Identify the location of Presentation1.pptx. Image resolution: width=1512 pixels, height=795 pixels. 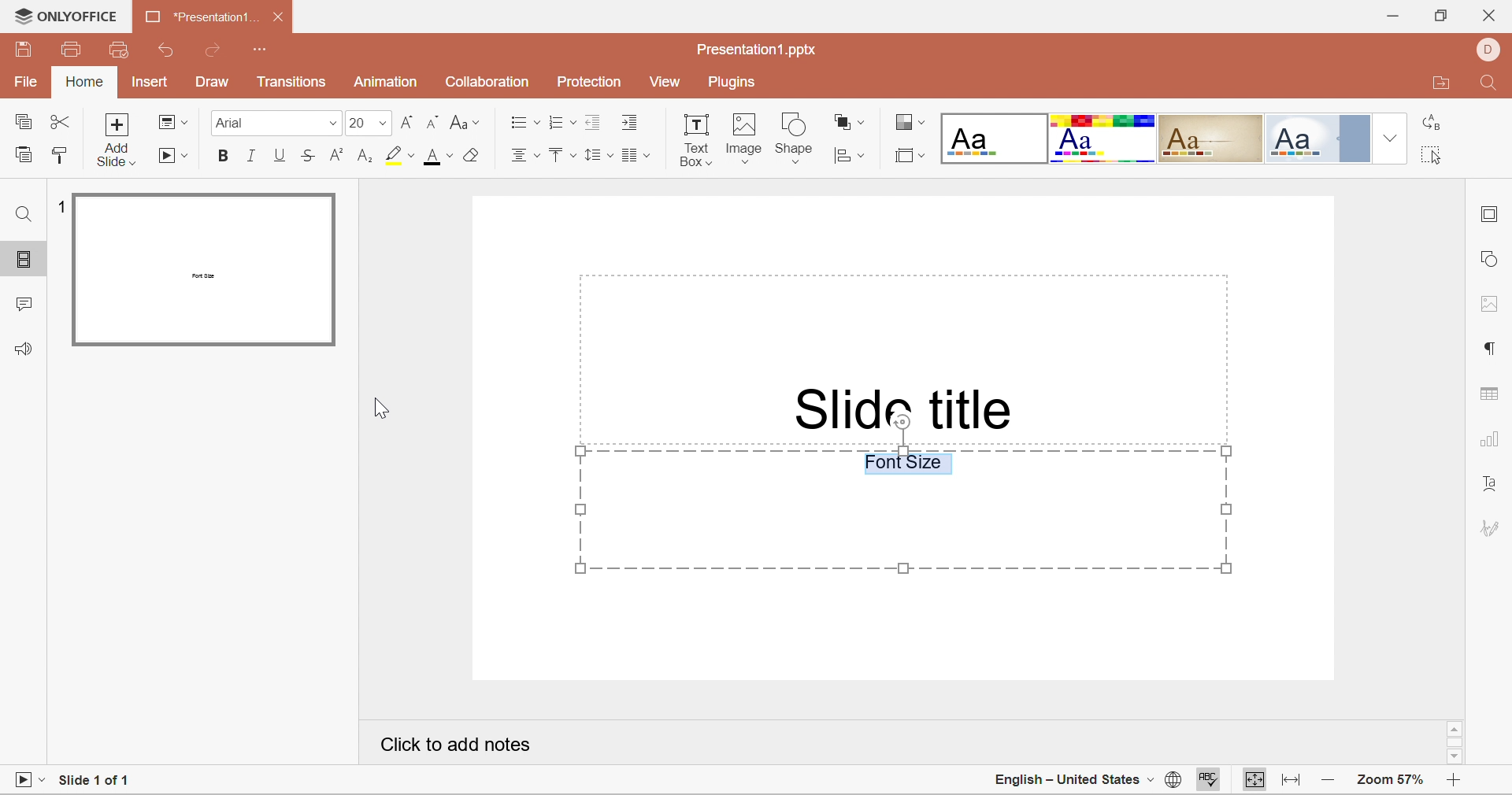
(757, 50).